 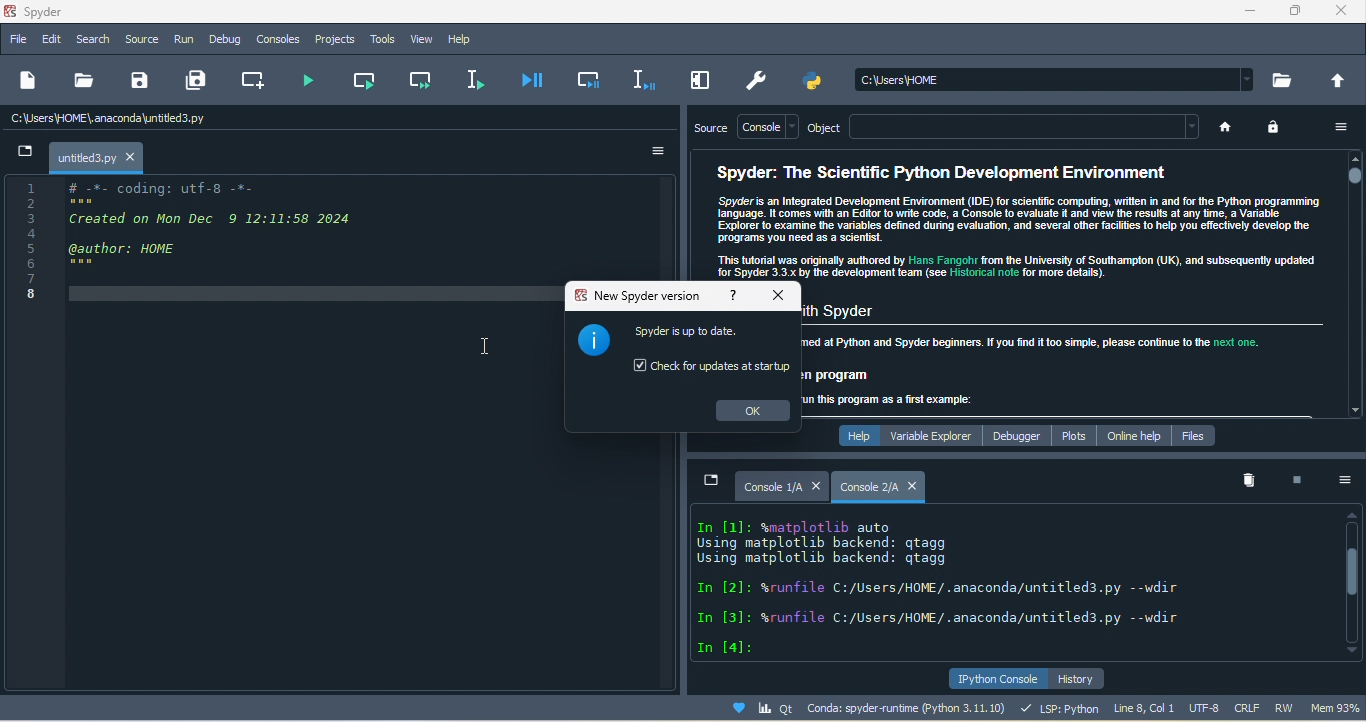 What do you see at coordinates (384, 39) in the screenshot?
I see `tools` at bounding box center [384, 39].